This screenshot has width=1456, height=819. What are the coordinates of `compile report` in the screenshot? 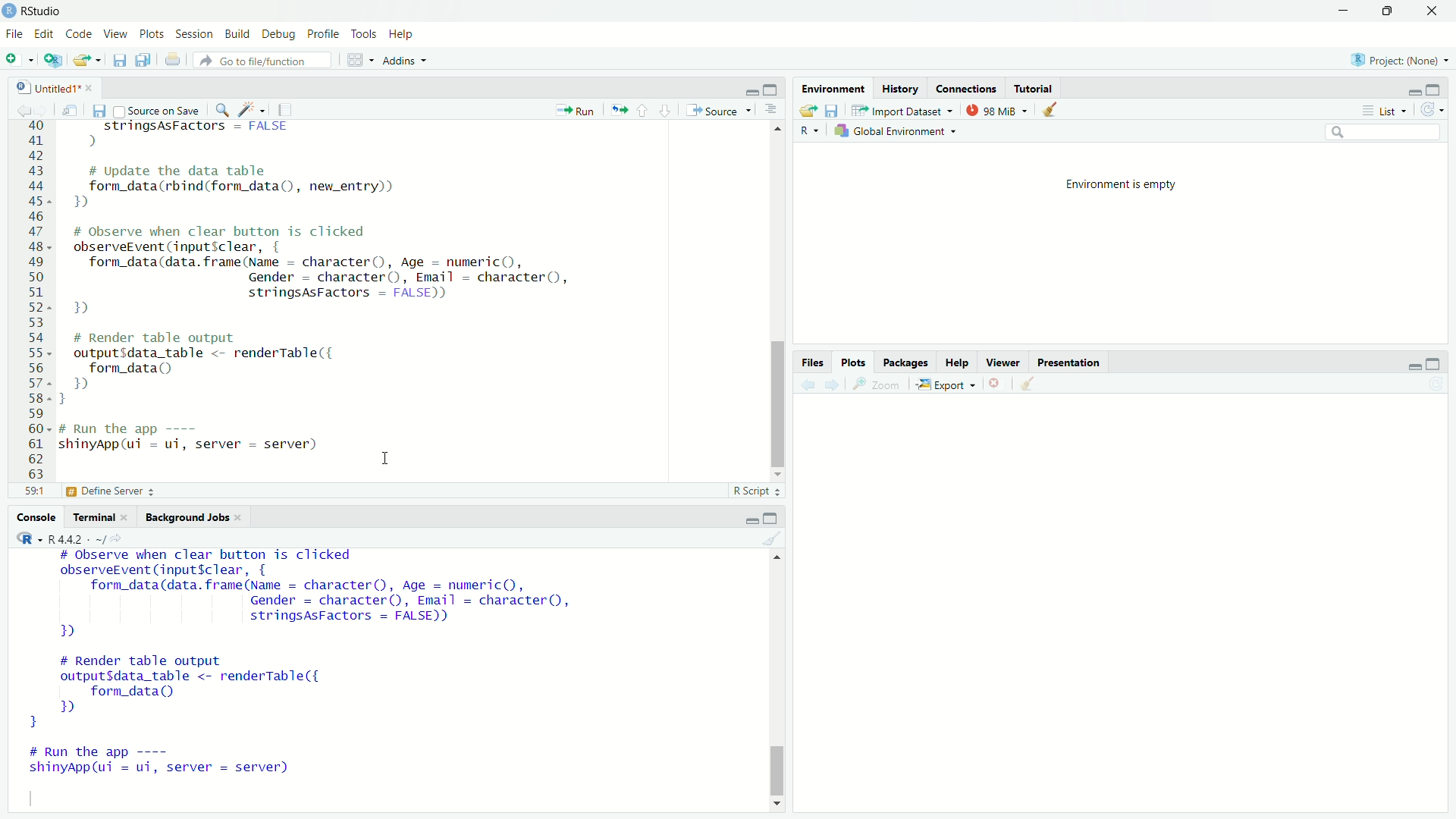 It's located at (288, 109).